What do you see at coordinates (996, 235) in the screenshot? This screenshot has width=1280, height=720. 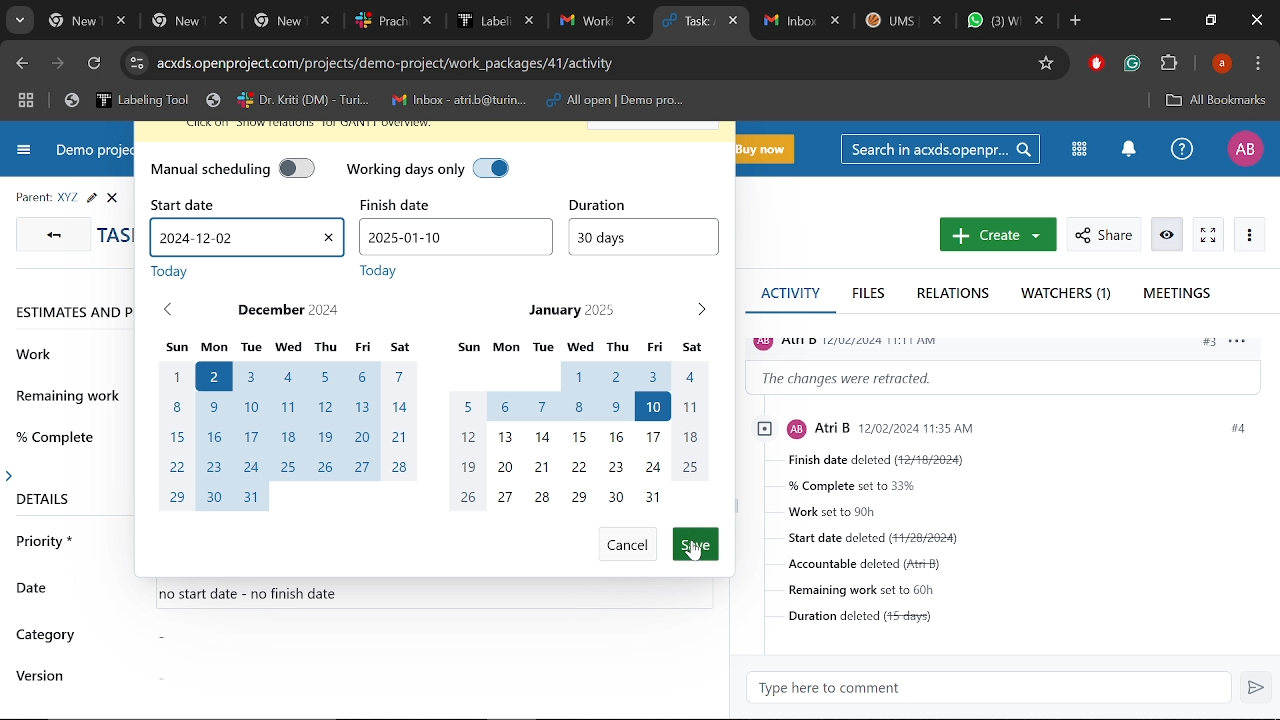 I see `New work package` at bounding box center [996, 235].